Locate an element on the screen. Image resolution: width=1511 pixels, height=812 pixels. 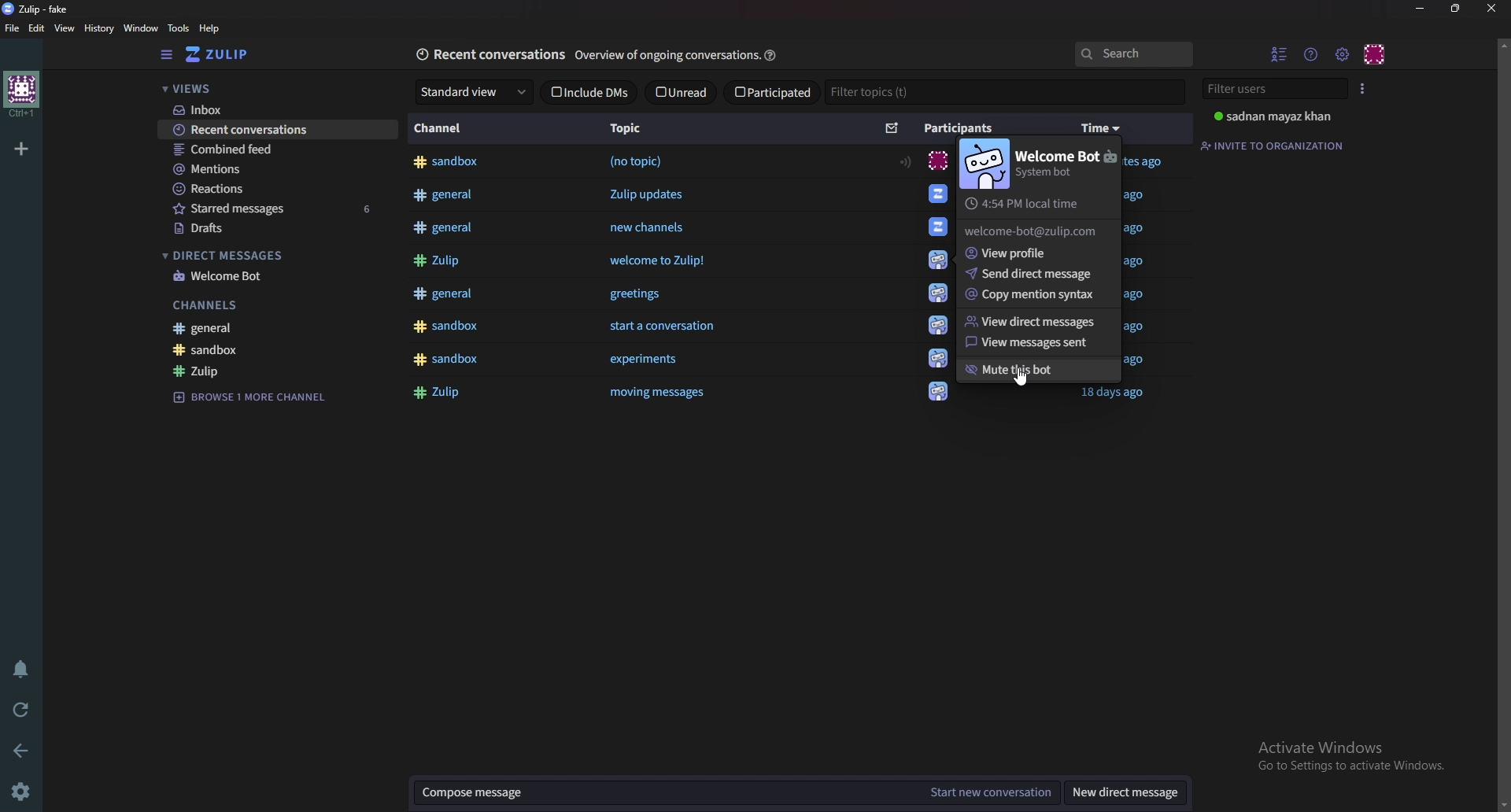
new channels is located at coordinates (648, 227).